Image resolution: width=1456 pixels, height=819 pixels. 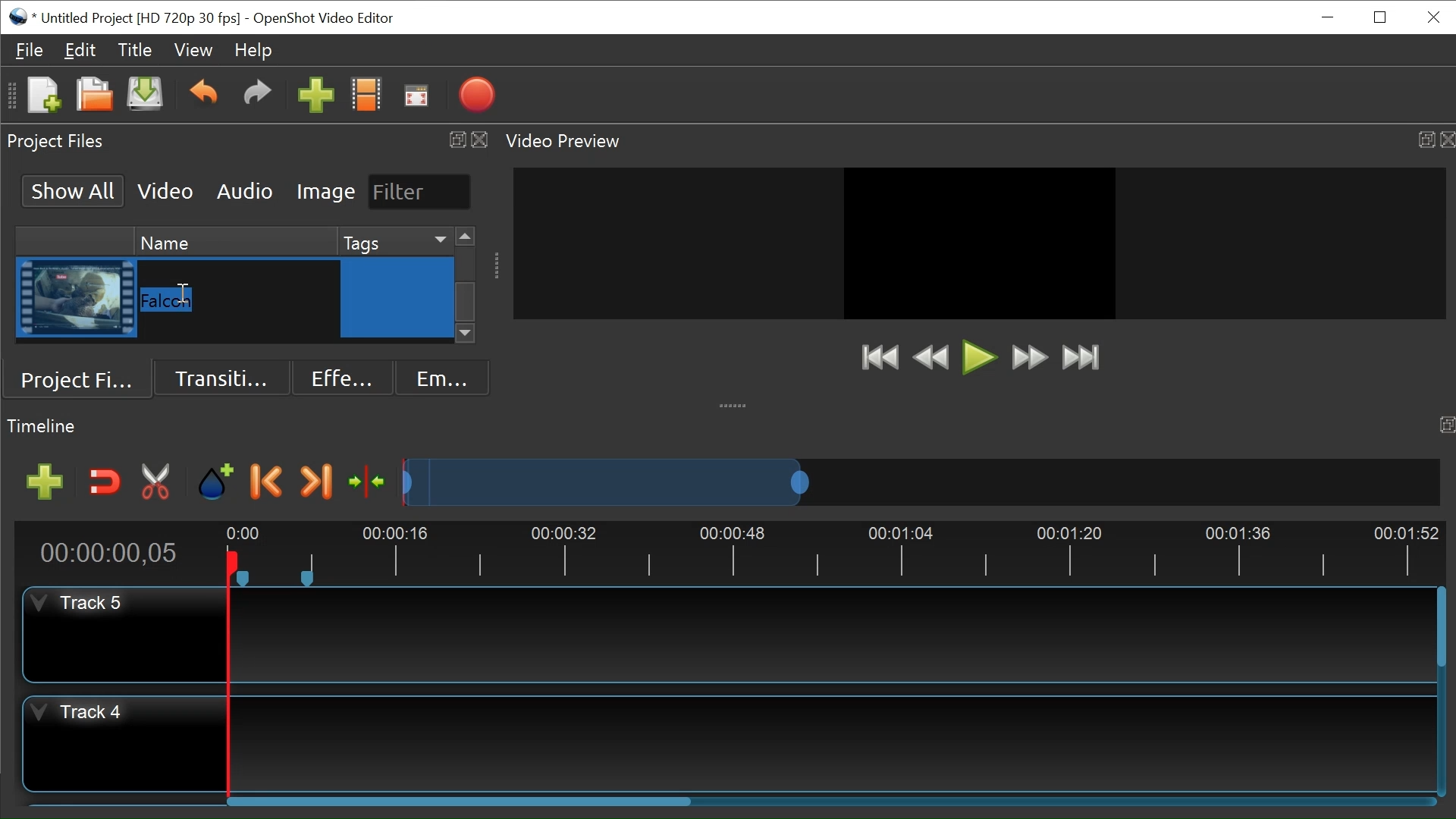 What do you see at coordinates (1081, 359) in the screenshot?
I see `Jump to End` at bounding box center [1081, 359].